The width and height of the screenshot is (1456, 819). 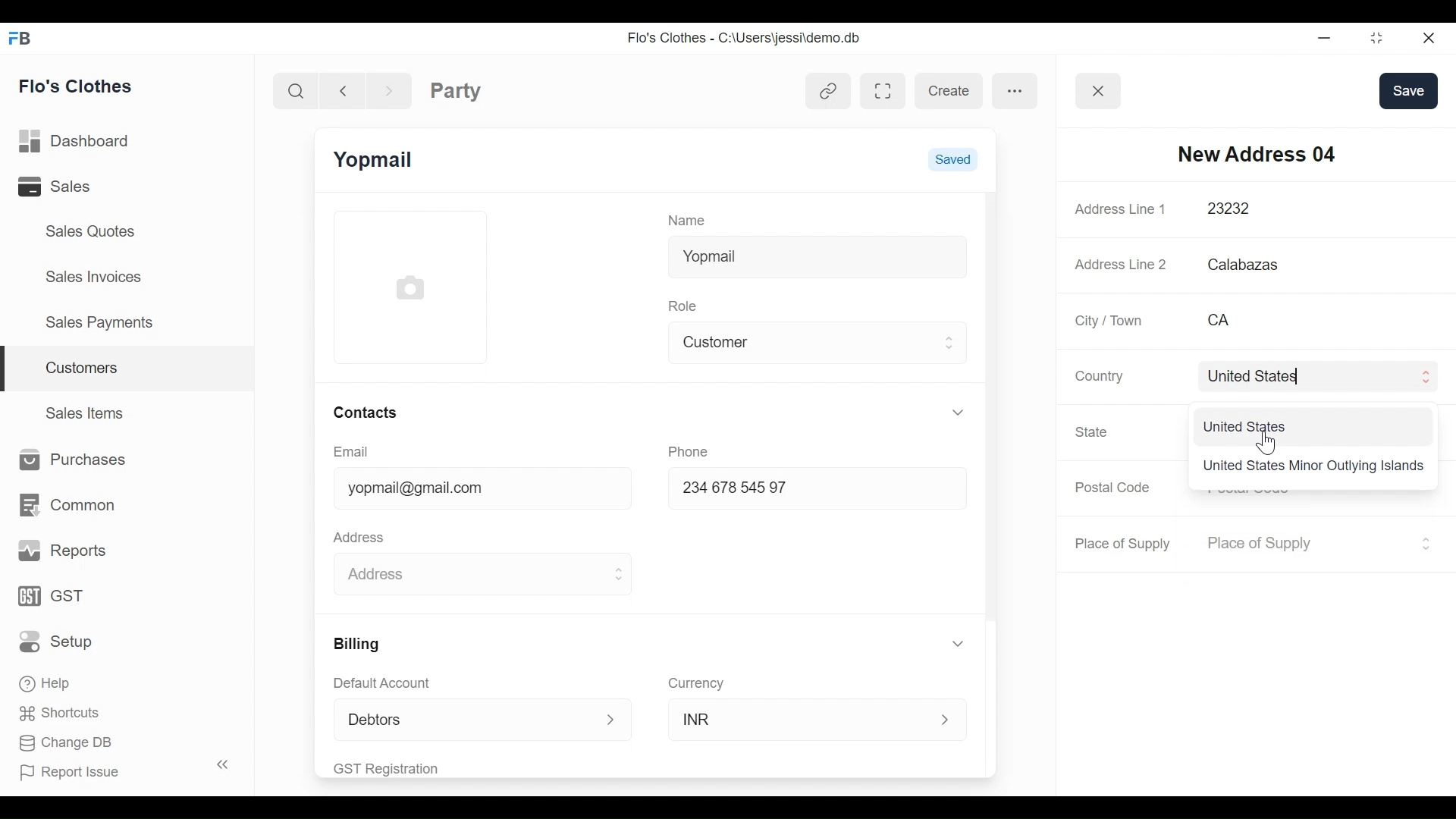 What do you see at coordinates (612, 720) in the screenshot?
I see `Expand` at bounding box center [612, 720].